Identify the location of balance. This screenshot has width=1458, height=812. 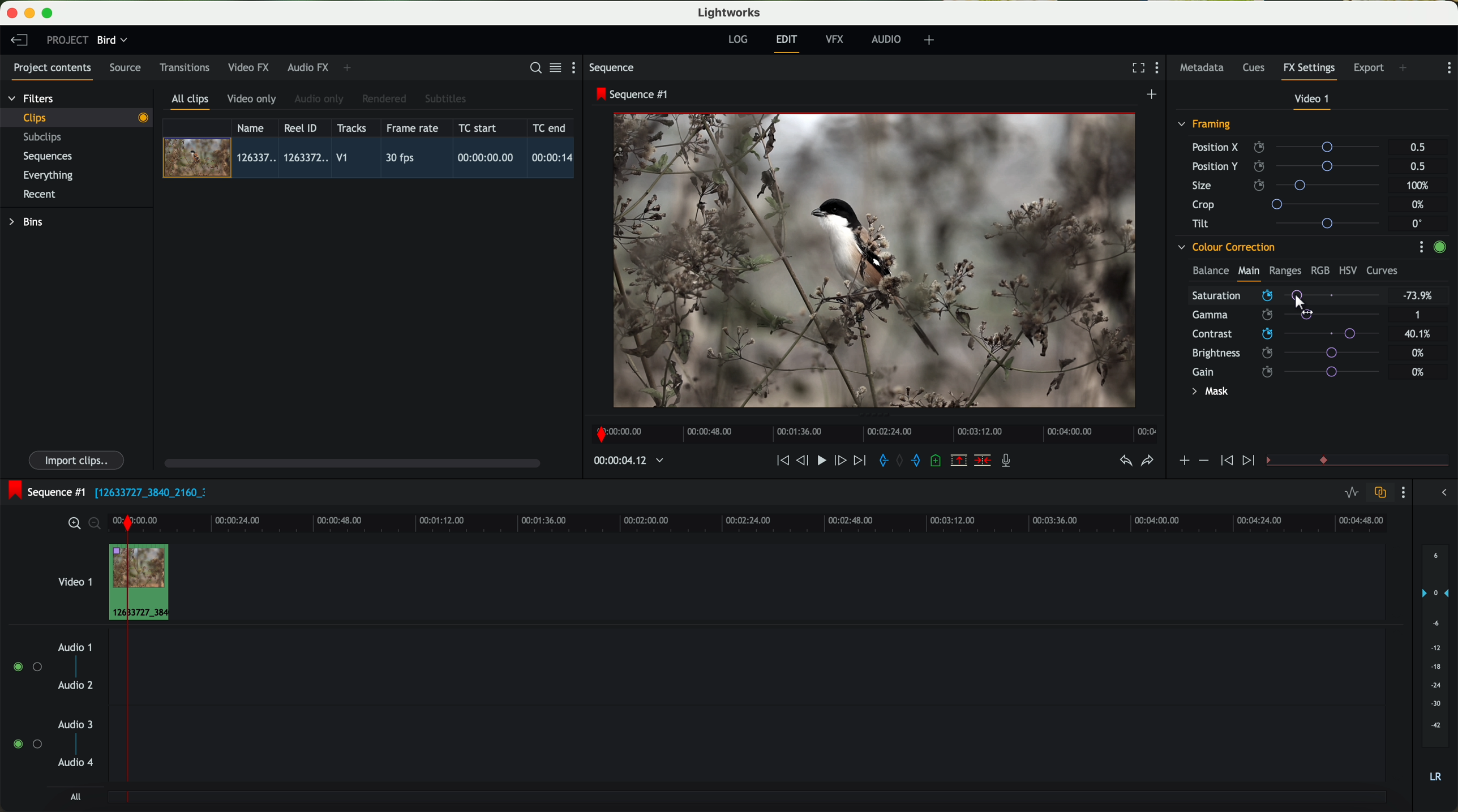
(1211, 272).